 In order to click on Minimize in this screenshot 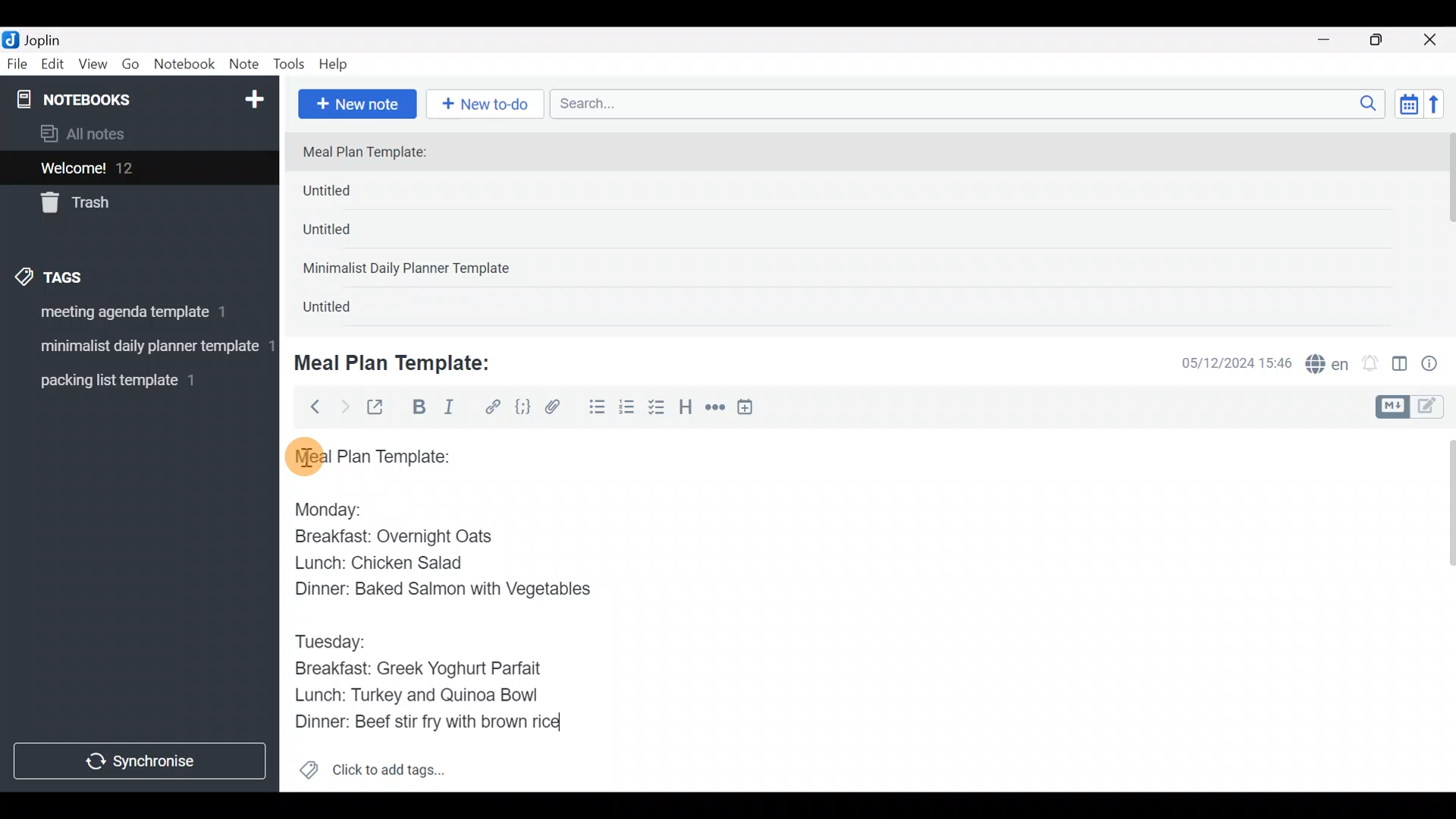, I will do `click(1332, 38)`.